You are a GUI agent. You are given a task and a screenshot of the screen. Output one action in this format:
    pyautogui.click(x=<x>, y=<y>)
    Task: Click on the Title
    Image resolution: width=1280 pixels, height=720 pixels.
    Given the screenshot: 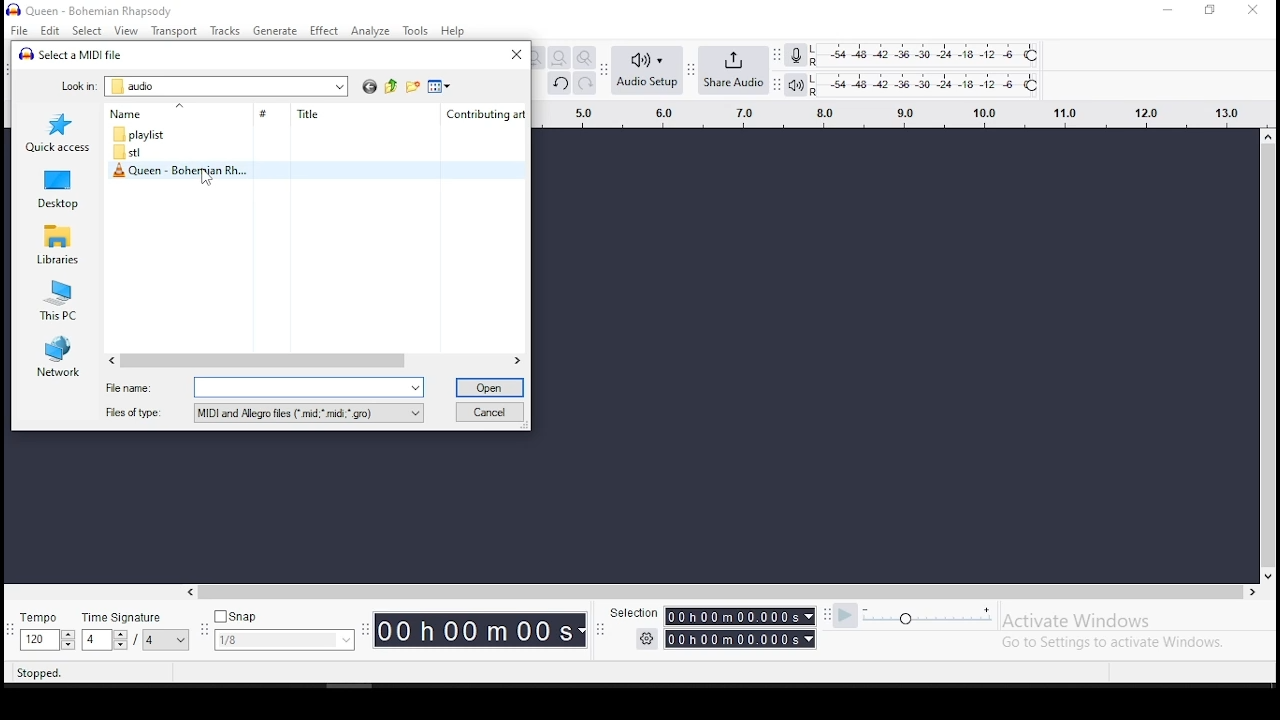 What is the action you would take?
    pyautogui.click(x=299, y=112)
    